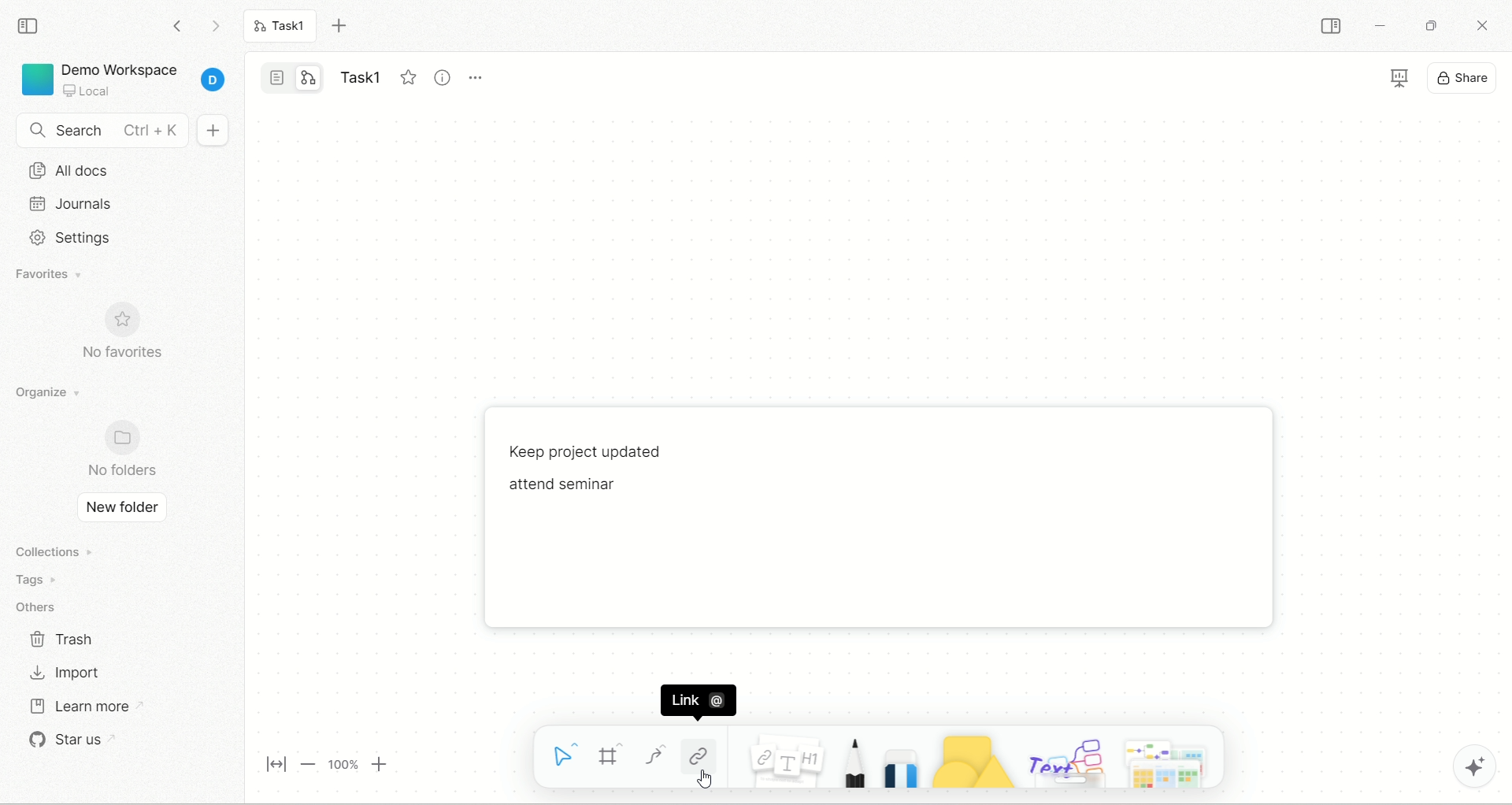 Image resolution: width=1512 pixels, height=805 pixels. What do you see at coordinates (1429, 24) in the screenshot?
I see `maximize` at bounding box center [1429, 24].